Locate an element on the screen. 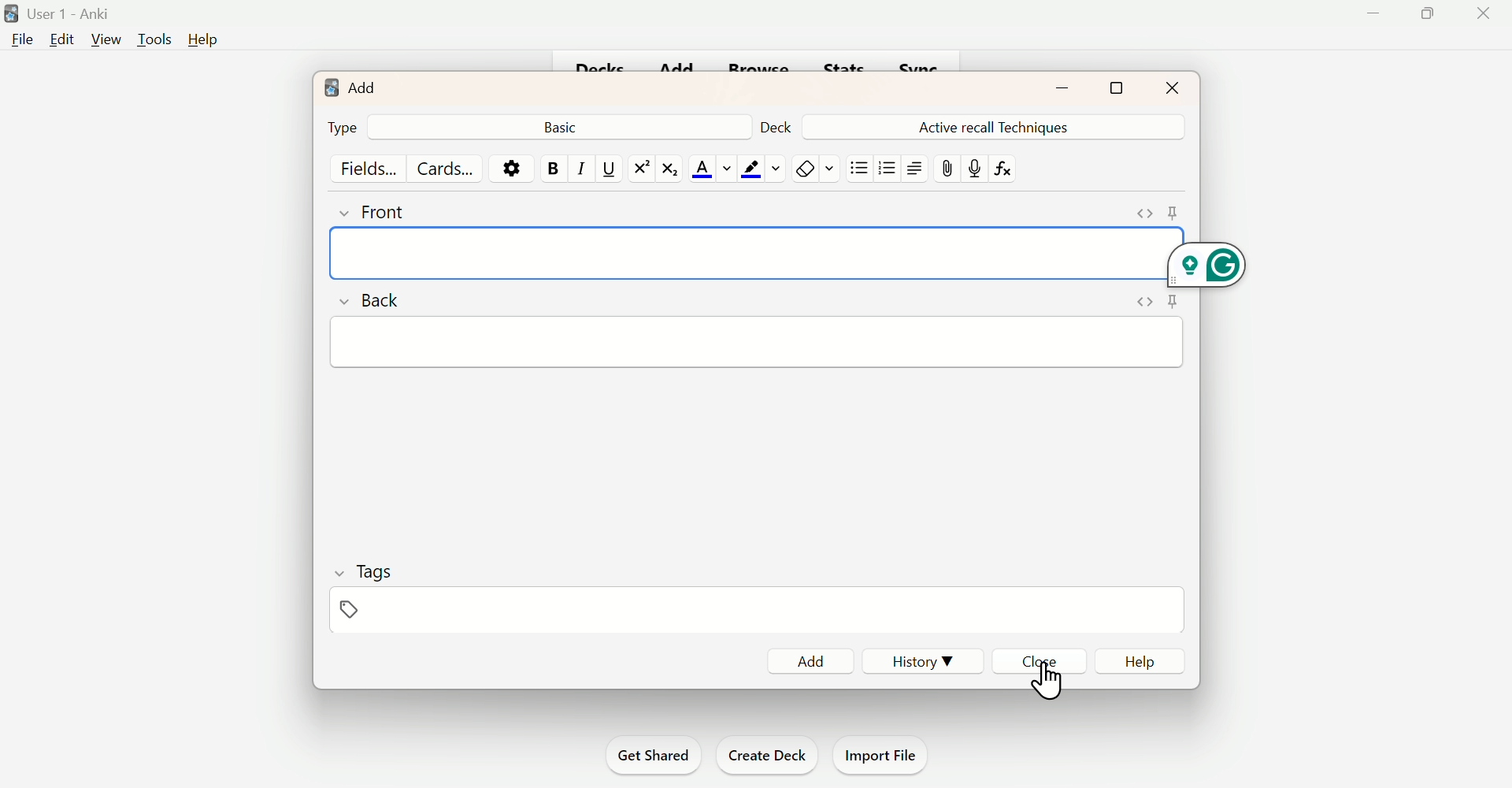 The height and width of the screenshot is (788, 1512). Help is located at coordinates (204, 41).